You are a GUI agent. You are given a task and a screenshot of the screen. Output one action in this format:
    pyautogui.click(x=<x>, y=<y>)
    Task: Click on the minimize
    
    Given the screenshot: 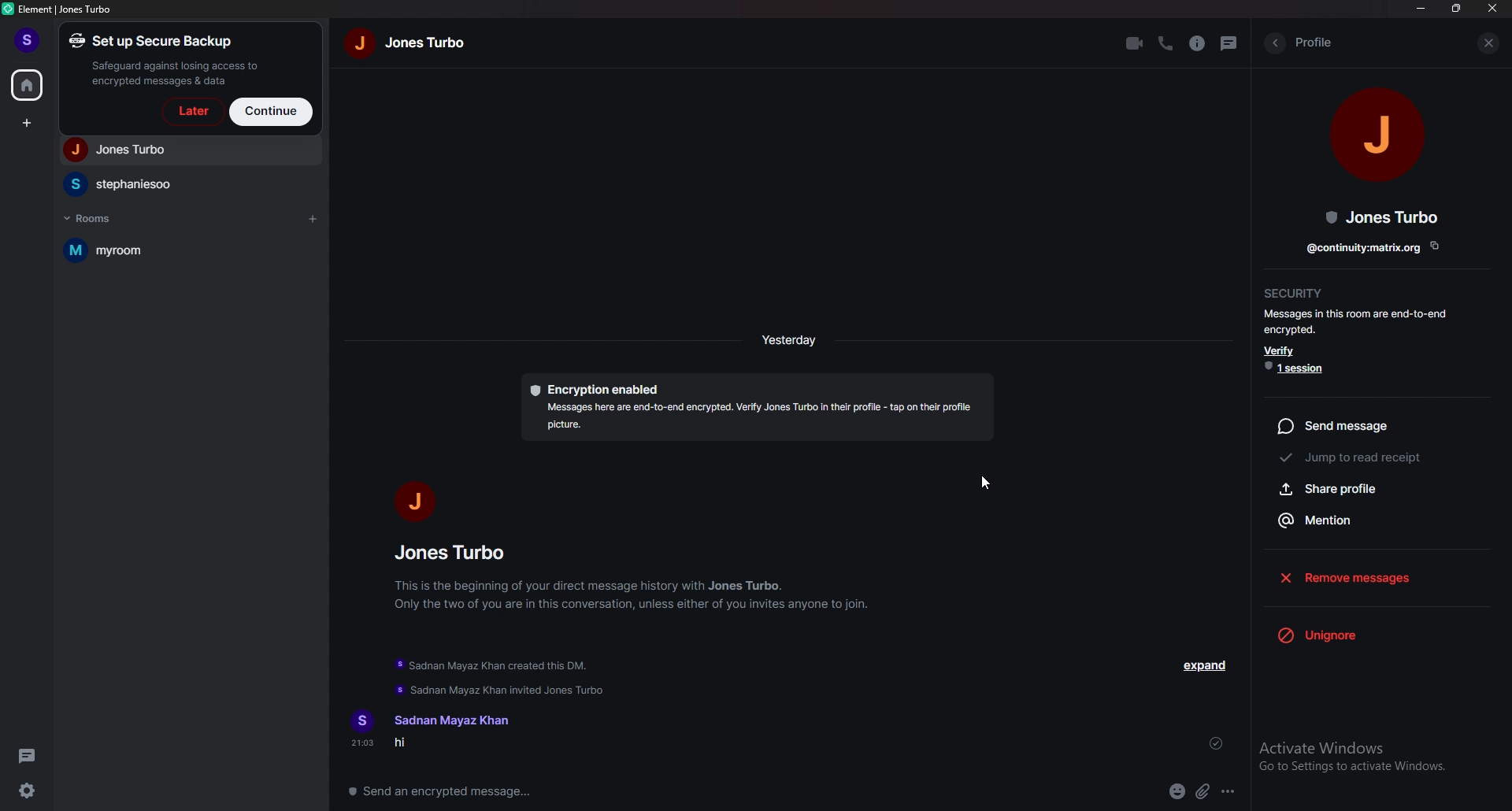 What is the action you would take?
    pyautogui.click(x=1422, y=8)
    